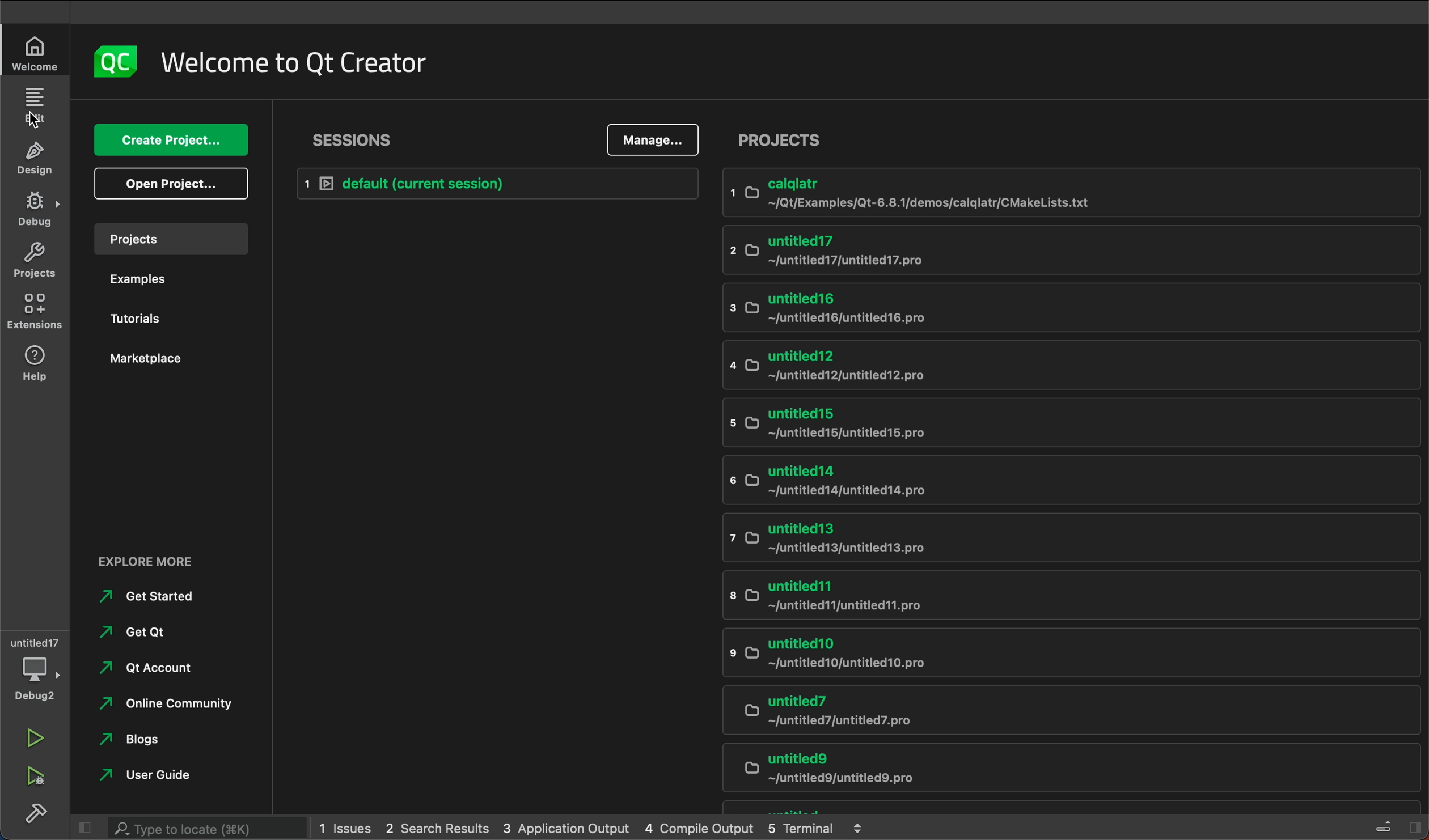 The width and height of the screenshot is (1429, 840). What do you see at coordinates (171, 239) in the screenshot?
I see `projects` at bounding box center [171, 239].